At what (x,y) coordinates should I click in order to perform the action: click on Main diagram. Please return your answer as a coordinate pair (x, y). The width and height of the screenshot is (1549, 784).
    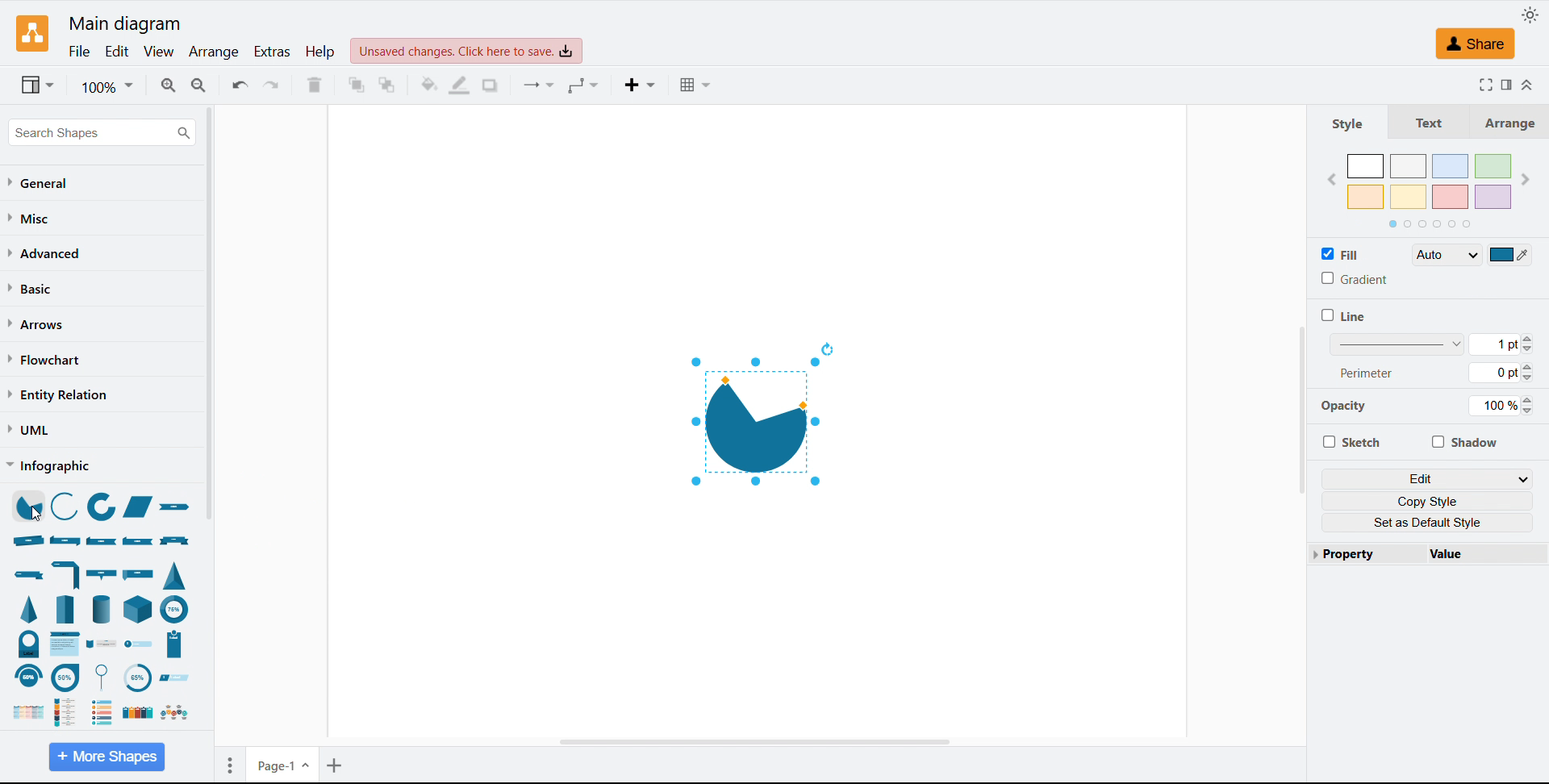
    Looking at the image, I should click on (125, 24).